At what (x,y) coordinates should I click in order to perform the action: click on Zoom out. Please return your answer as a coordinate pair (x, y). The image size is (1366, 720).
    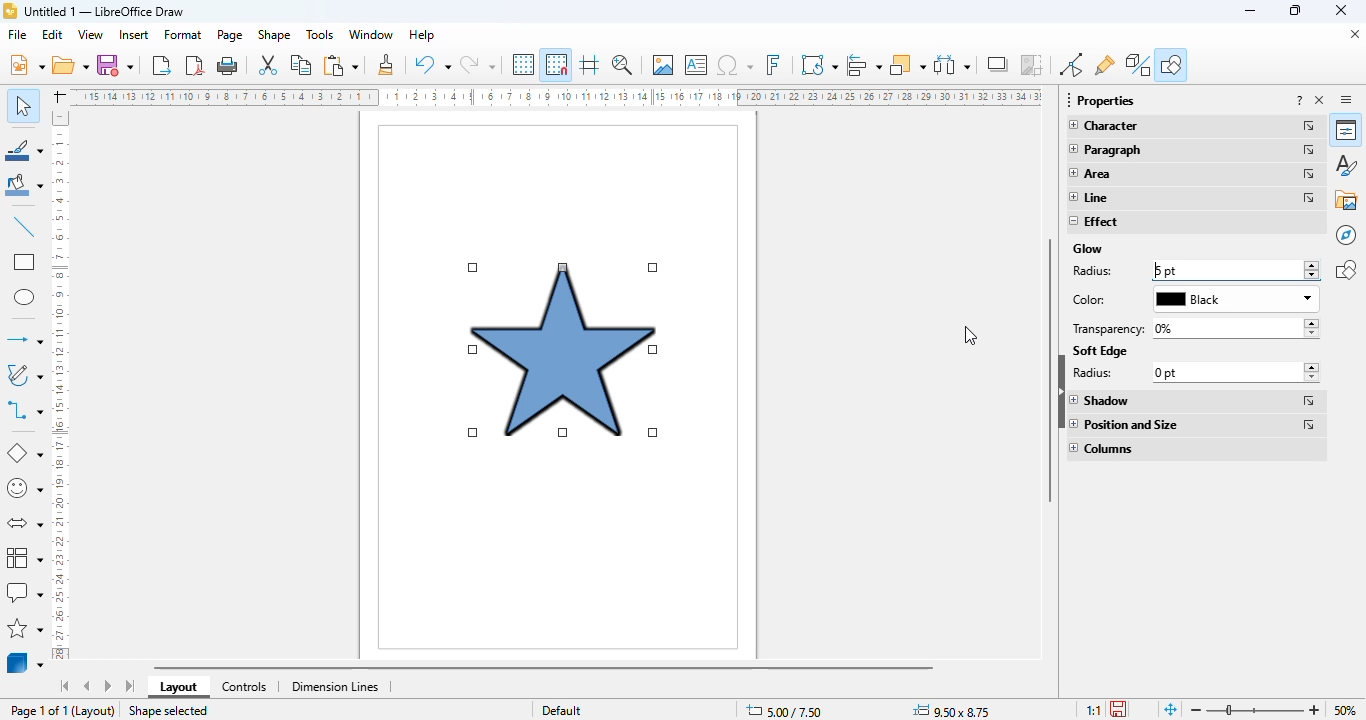
    Looking at the image, I should click on (1197, 710).